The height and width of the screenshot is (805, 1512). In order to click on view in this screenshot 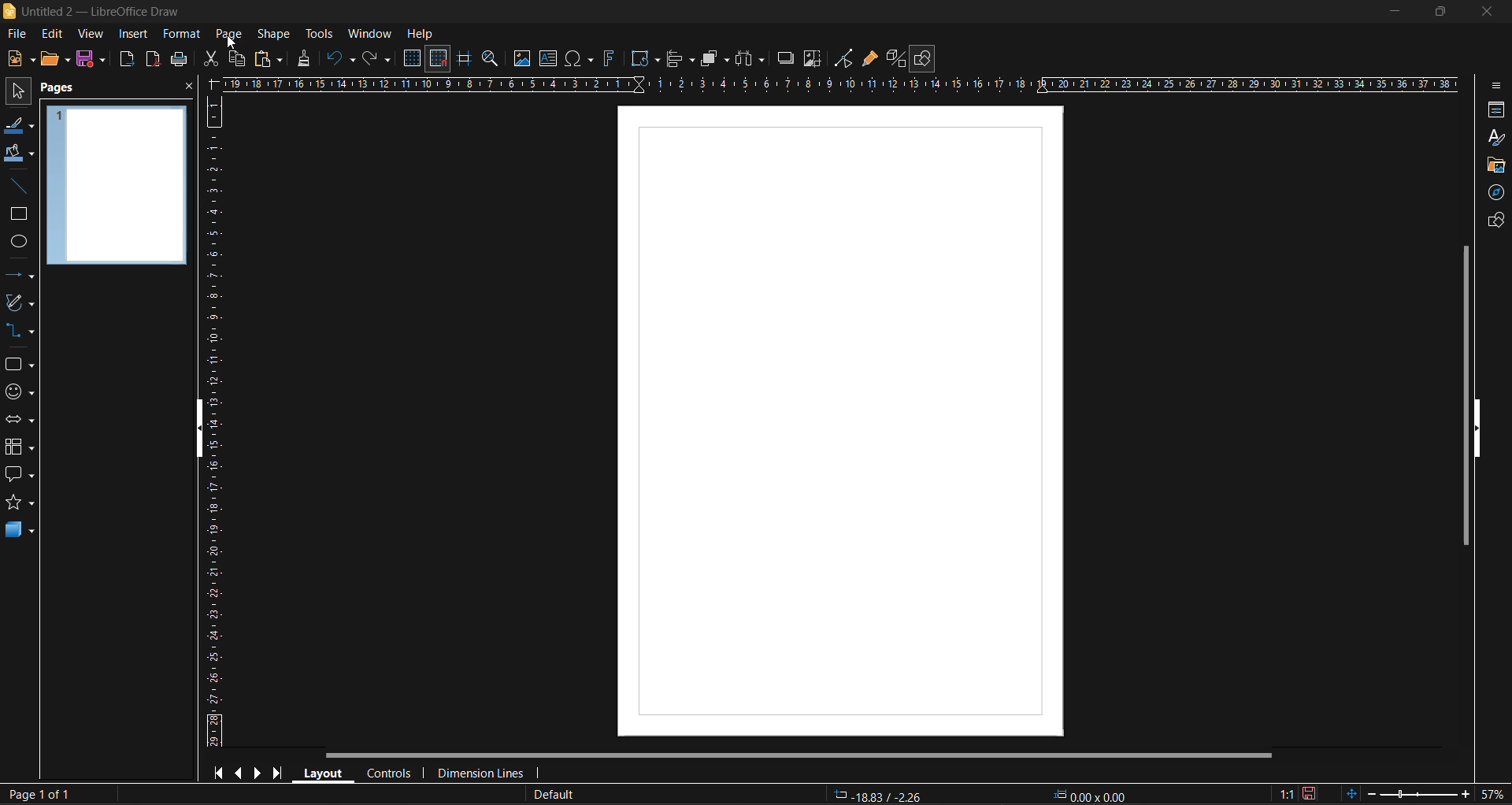, I will do `click(93, 35)`.